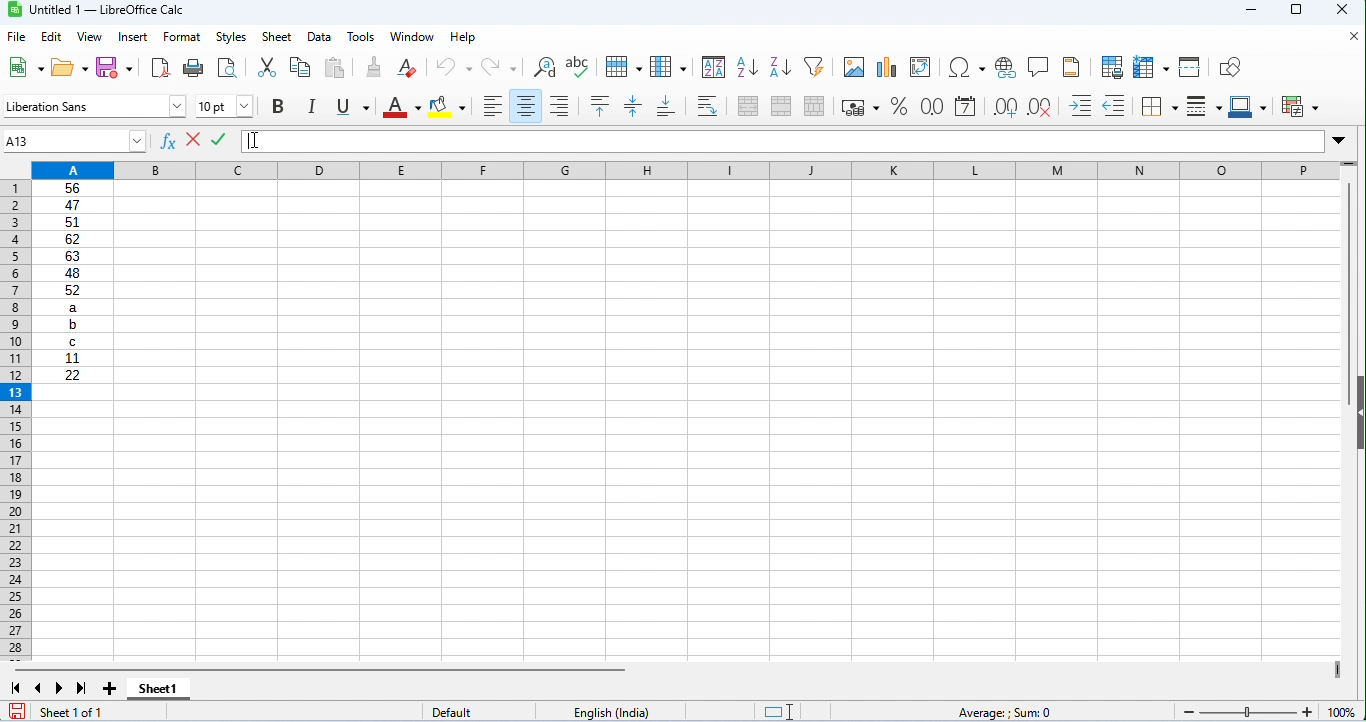 The height and width of the screenshot is (722, 1366). What do you see at coordinates (371, 67) in the screenshot?
I see `clone` at bounding box center [371, 67].